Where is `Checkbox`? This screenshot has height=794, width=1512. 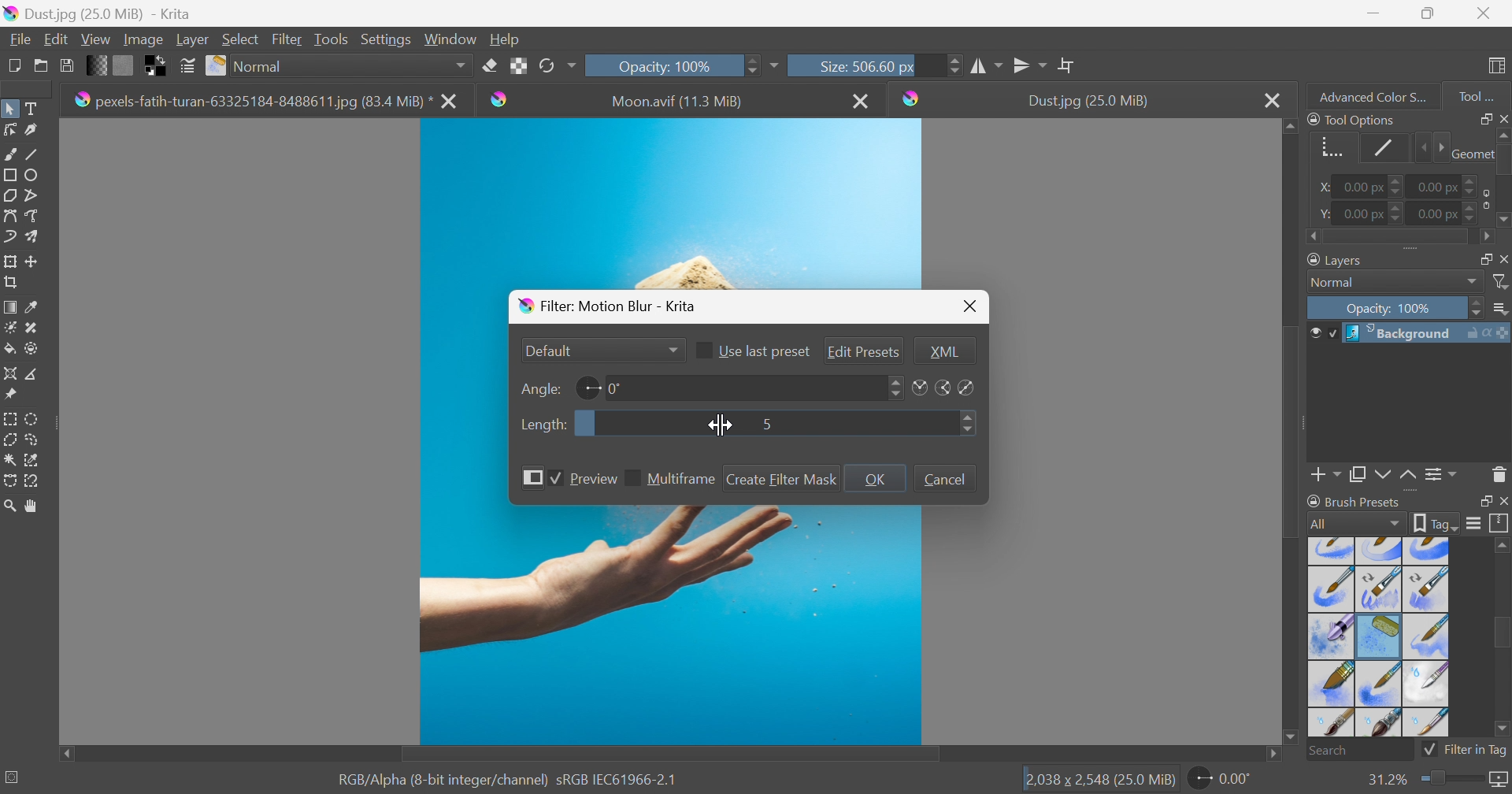
Checkbox is located at coordinates (632, 479).